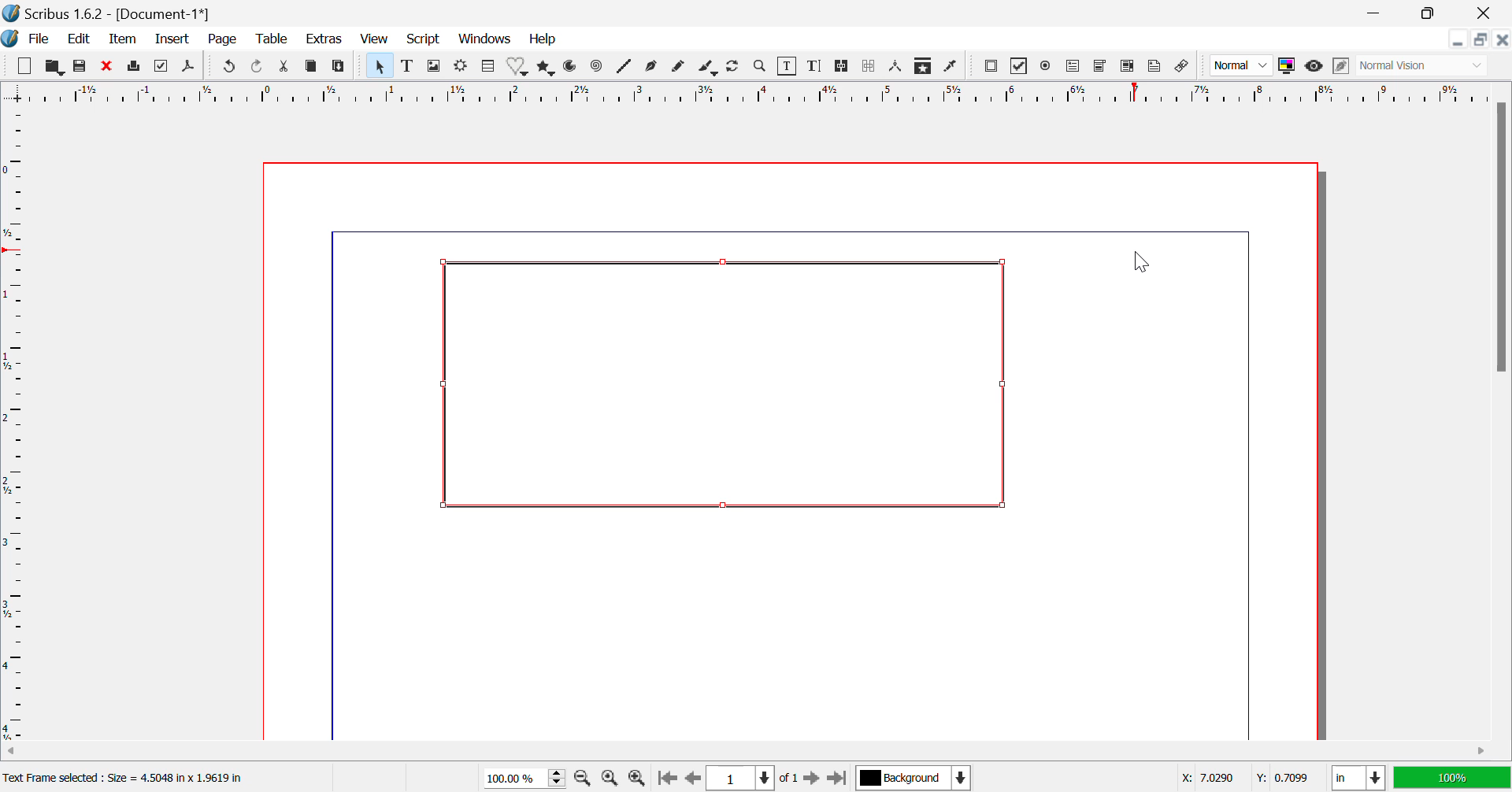 The image size is (1512, 792). Describe the element at coordinates (762, 68) in the screenshot. I see `Zoom` at that location.